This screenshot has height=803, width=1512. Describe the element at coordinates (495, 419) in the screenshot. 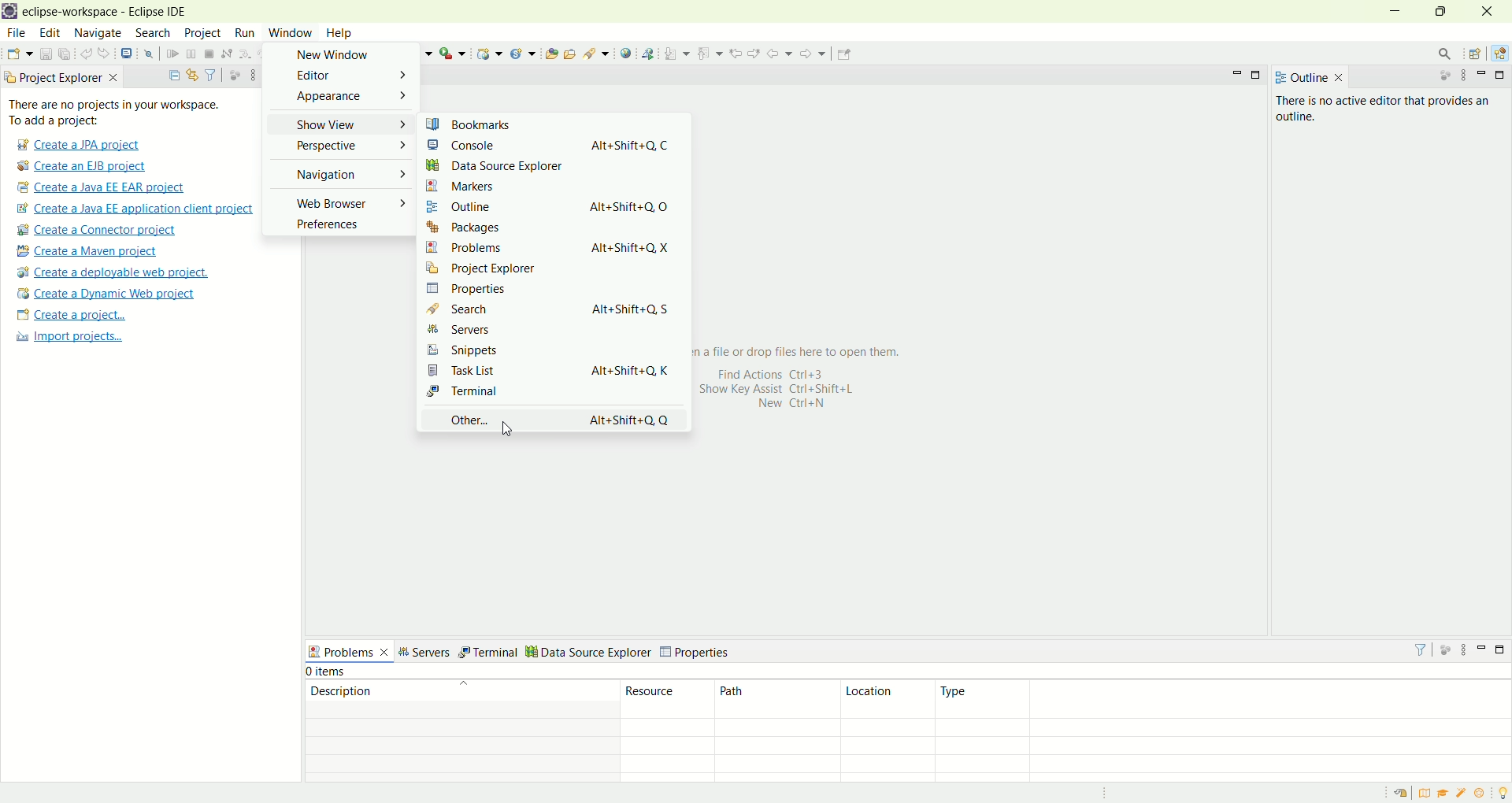

I see `other` at that location.